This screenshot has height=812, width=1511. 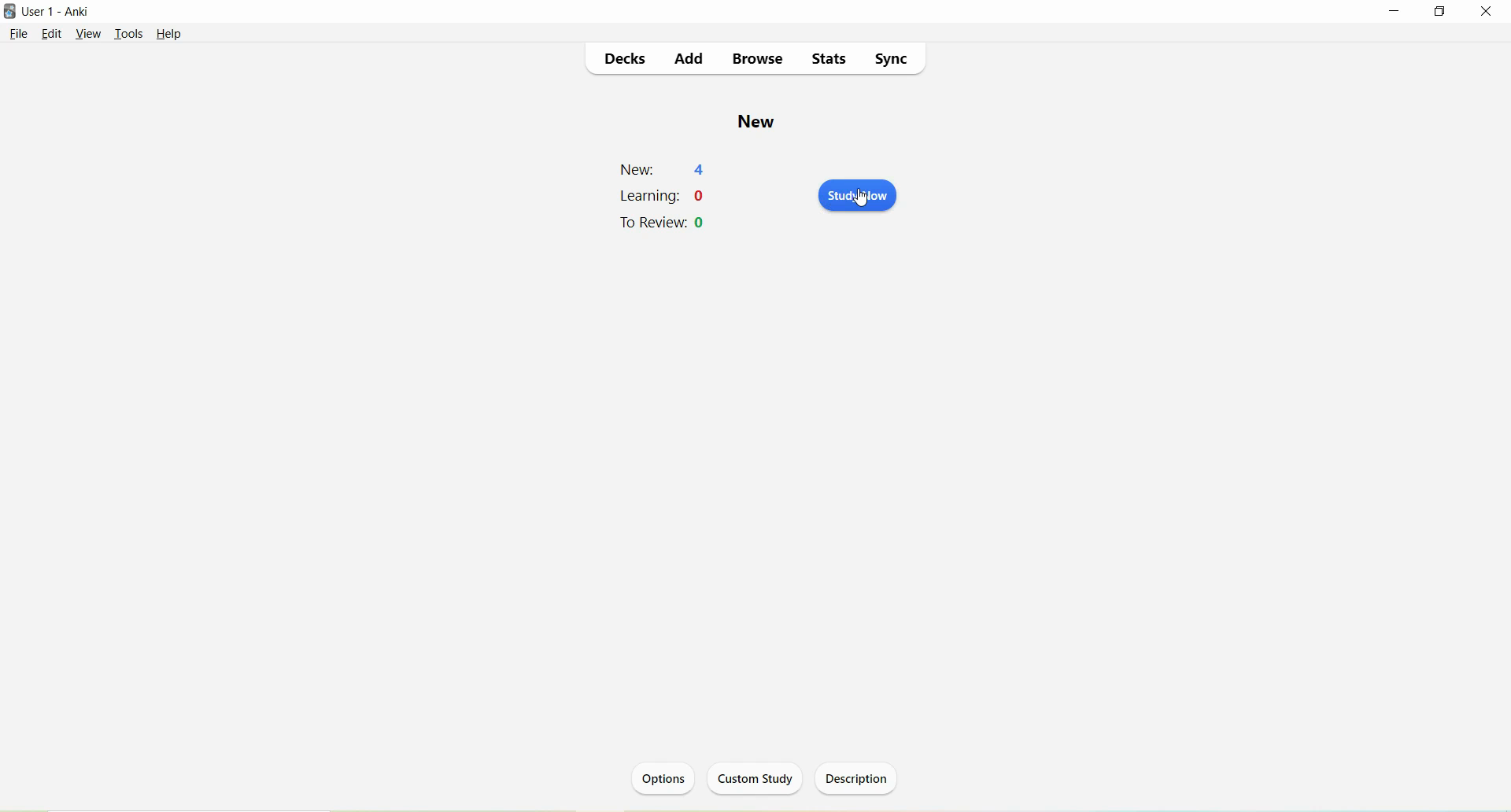 I want to click on cursor, so click(x=864, y=199).